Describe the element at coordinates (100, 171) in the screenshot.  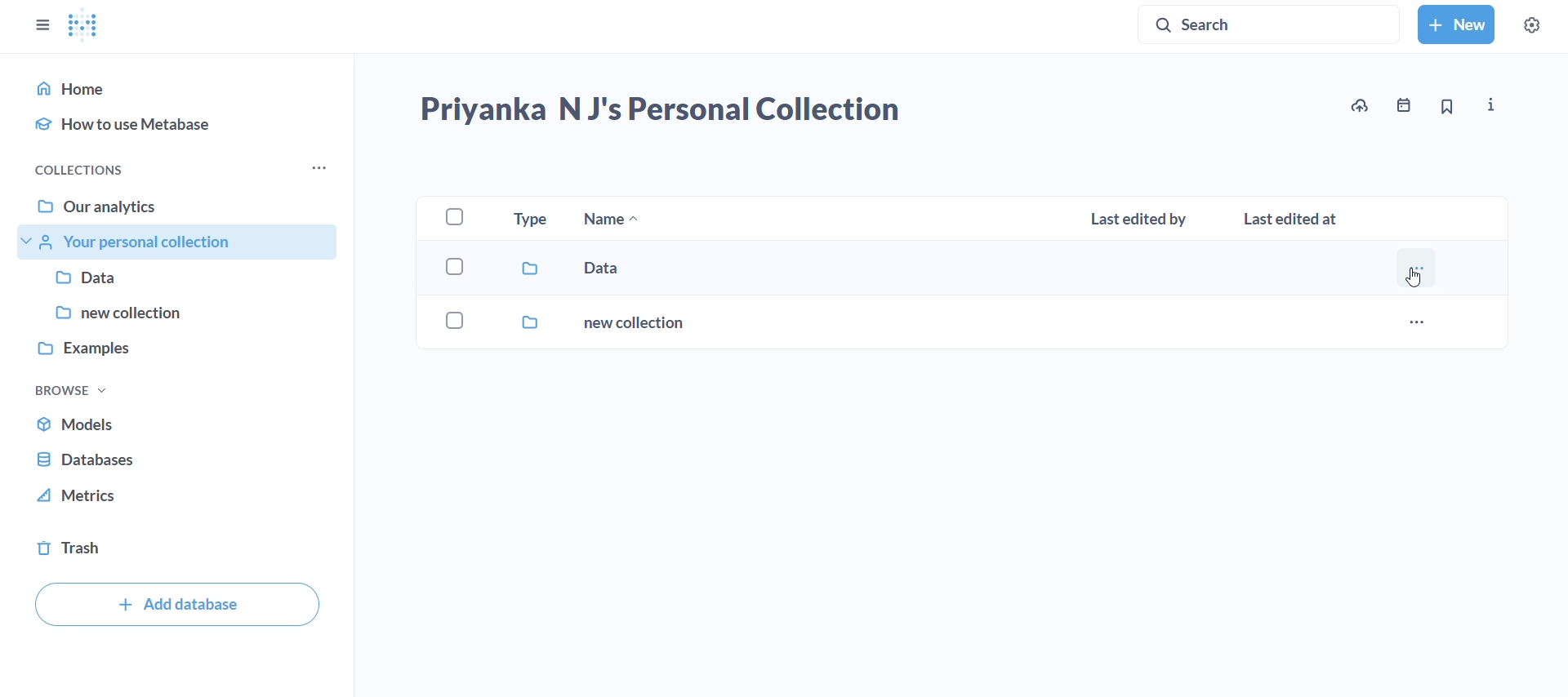
I see `collections` at that location.